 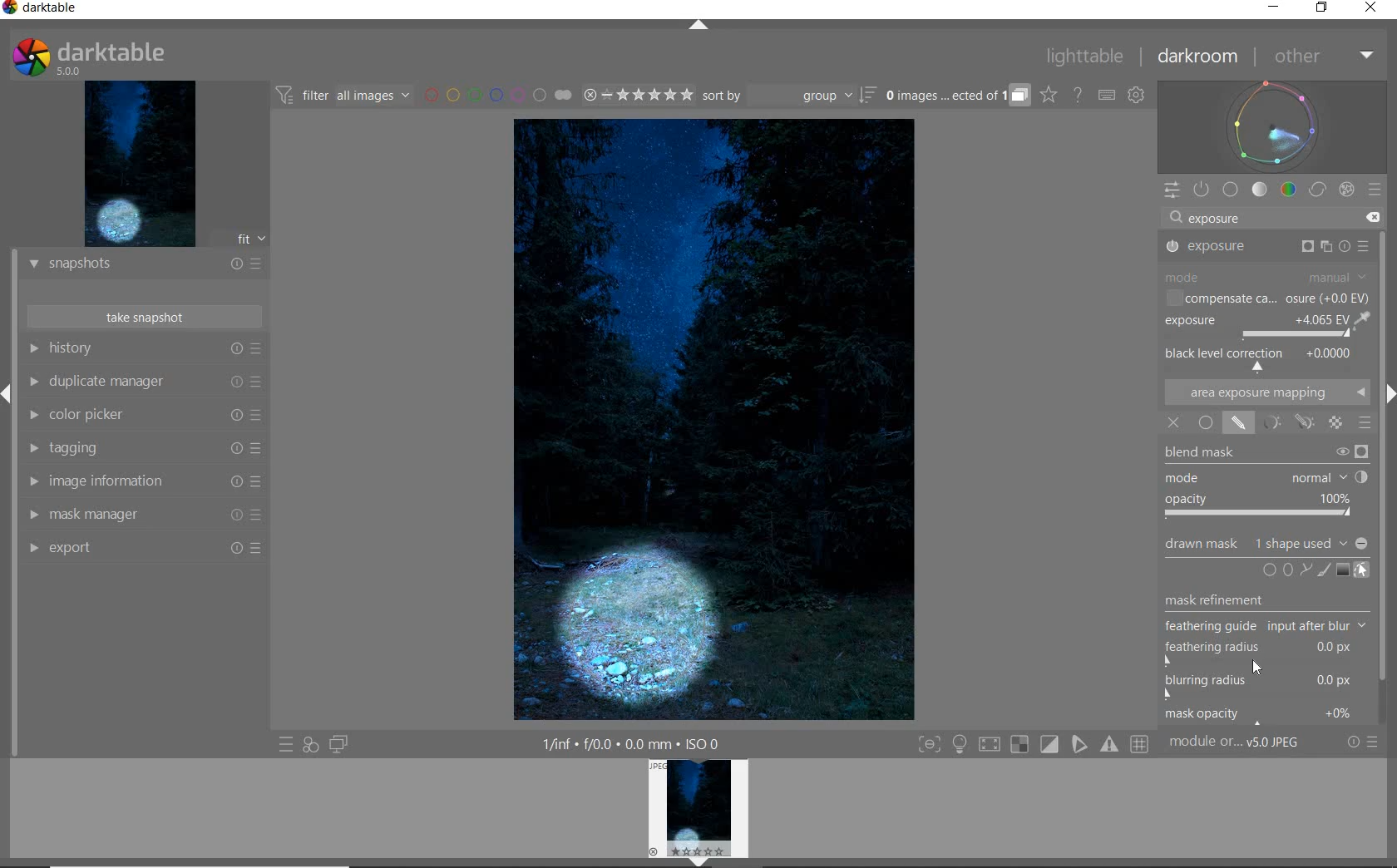 I want to click on MODE, so click(x=1266, y=279).